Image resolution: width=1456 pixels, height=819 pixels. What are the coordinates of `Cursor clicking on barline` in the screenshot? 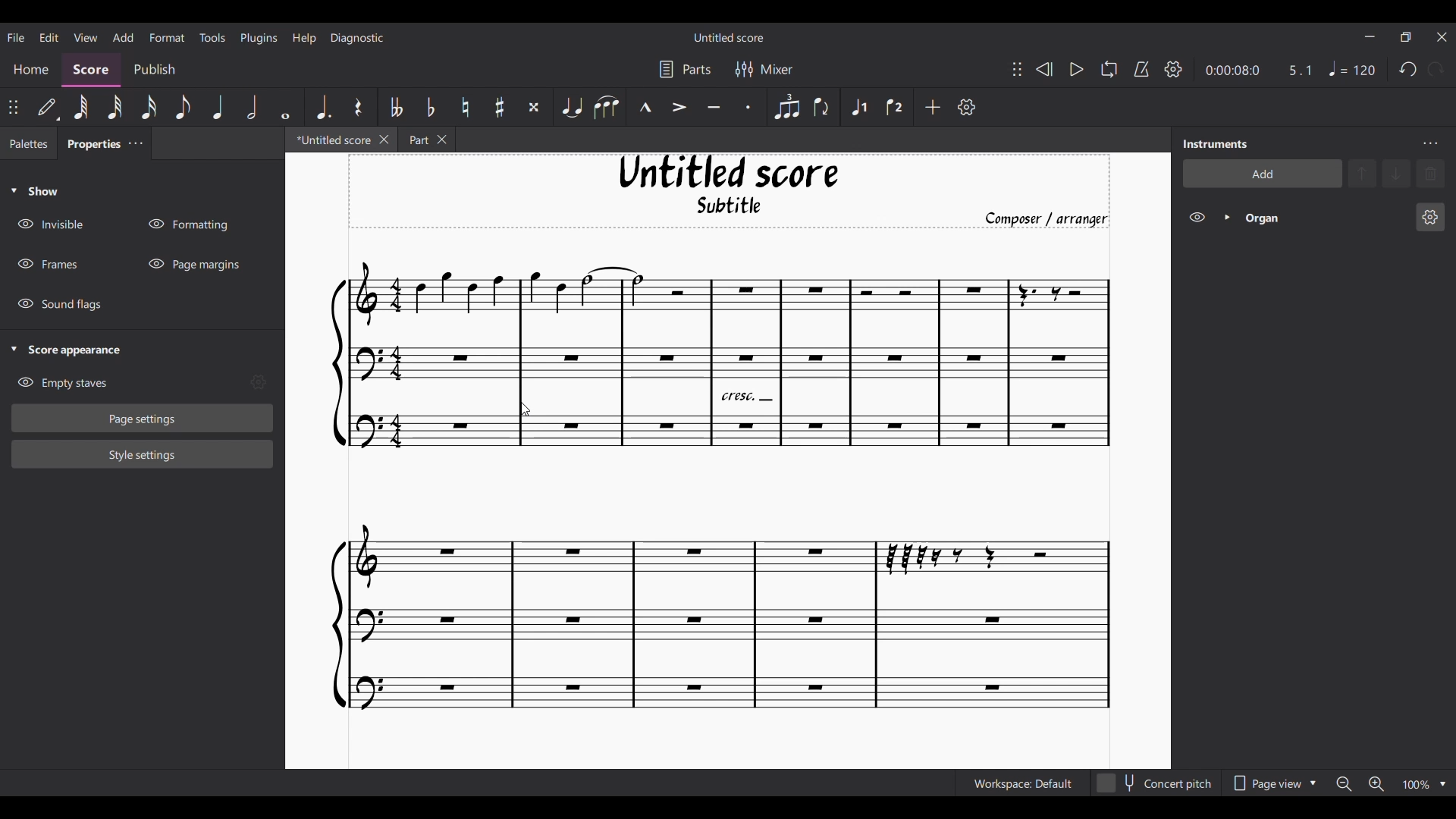 It's located at (525, 409).